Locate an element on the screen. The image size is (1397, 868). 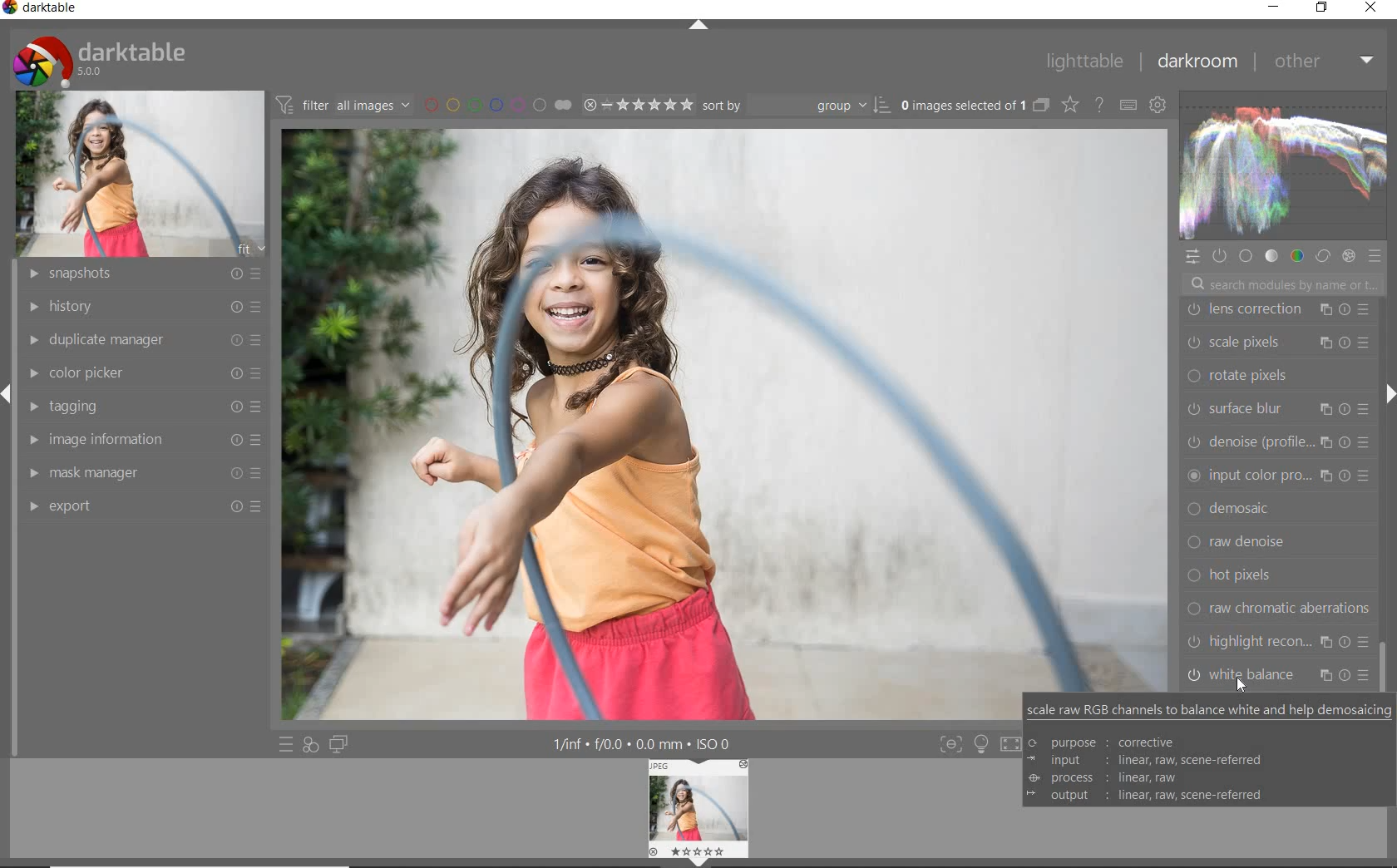
export is located at coordinates (144, 506).